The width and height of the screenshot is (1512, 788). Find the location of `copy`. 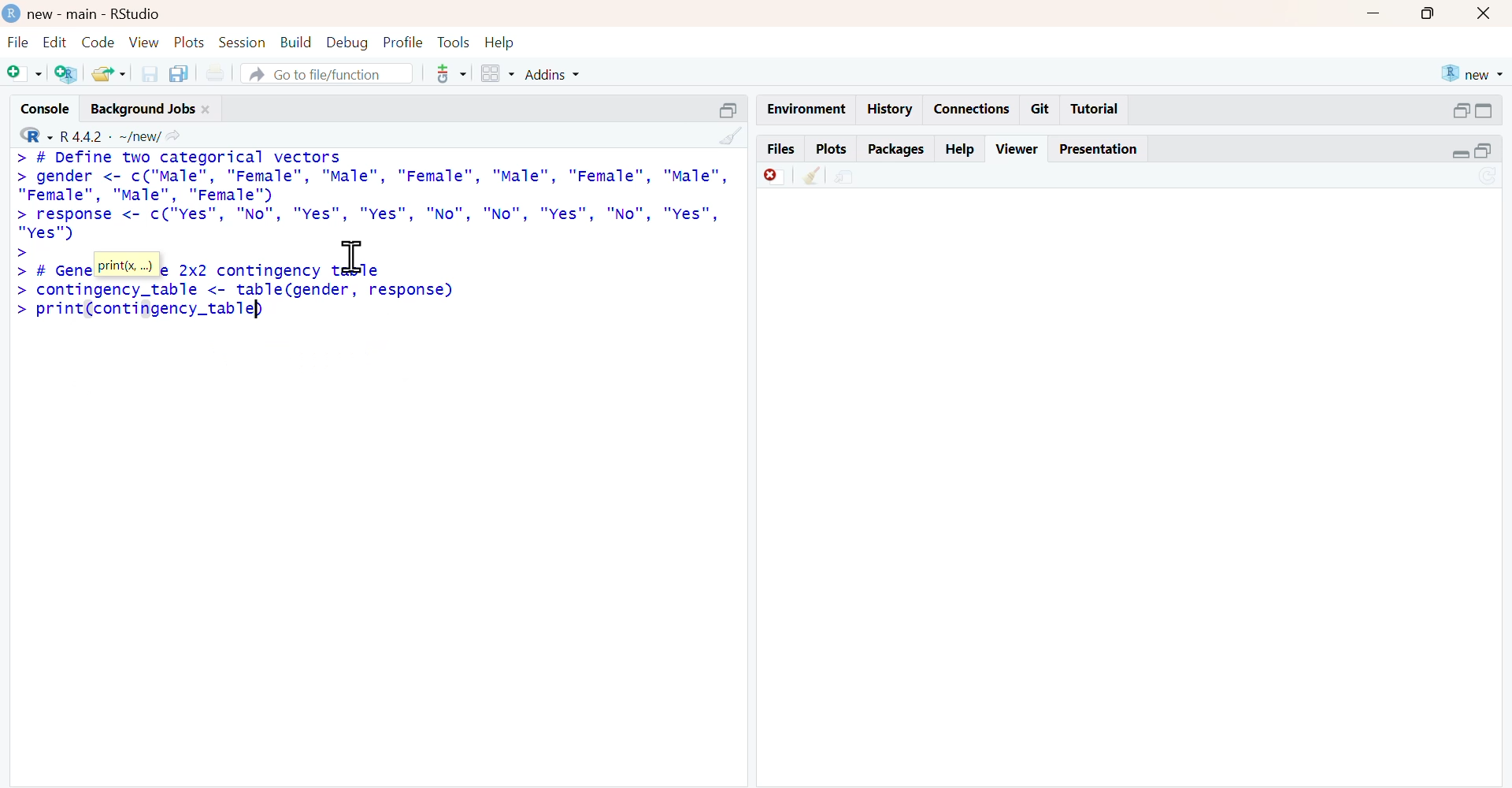

copy is located at coordinates (180, 73).